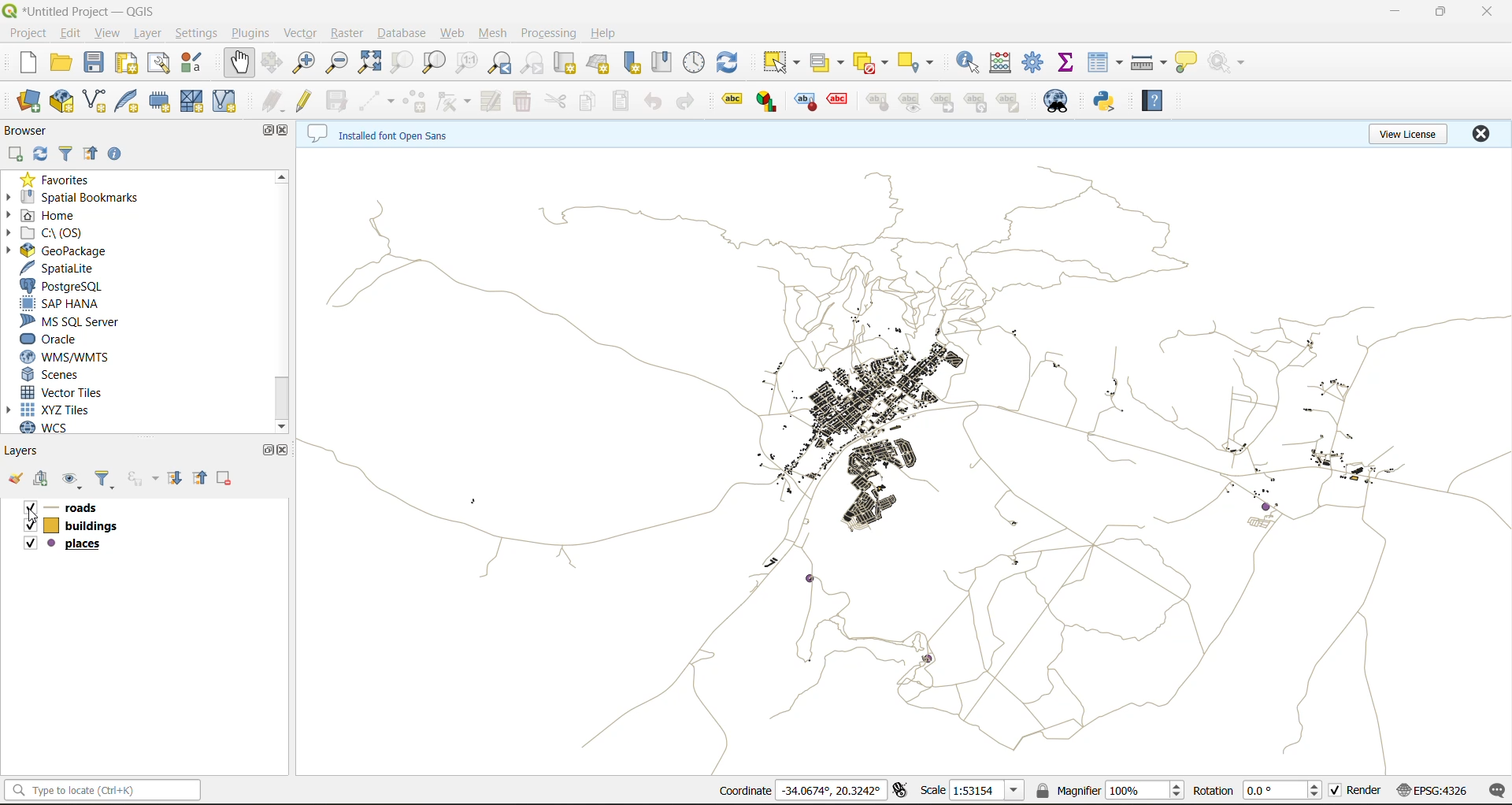 The width and height of the screenshot is (1512, 805). Describe the element at coordinates (1114, 792) in the screenshot. I see `magnifier` at that location.